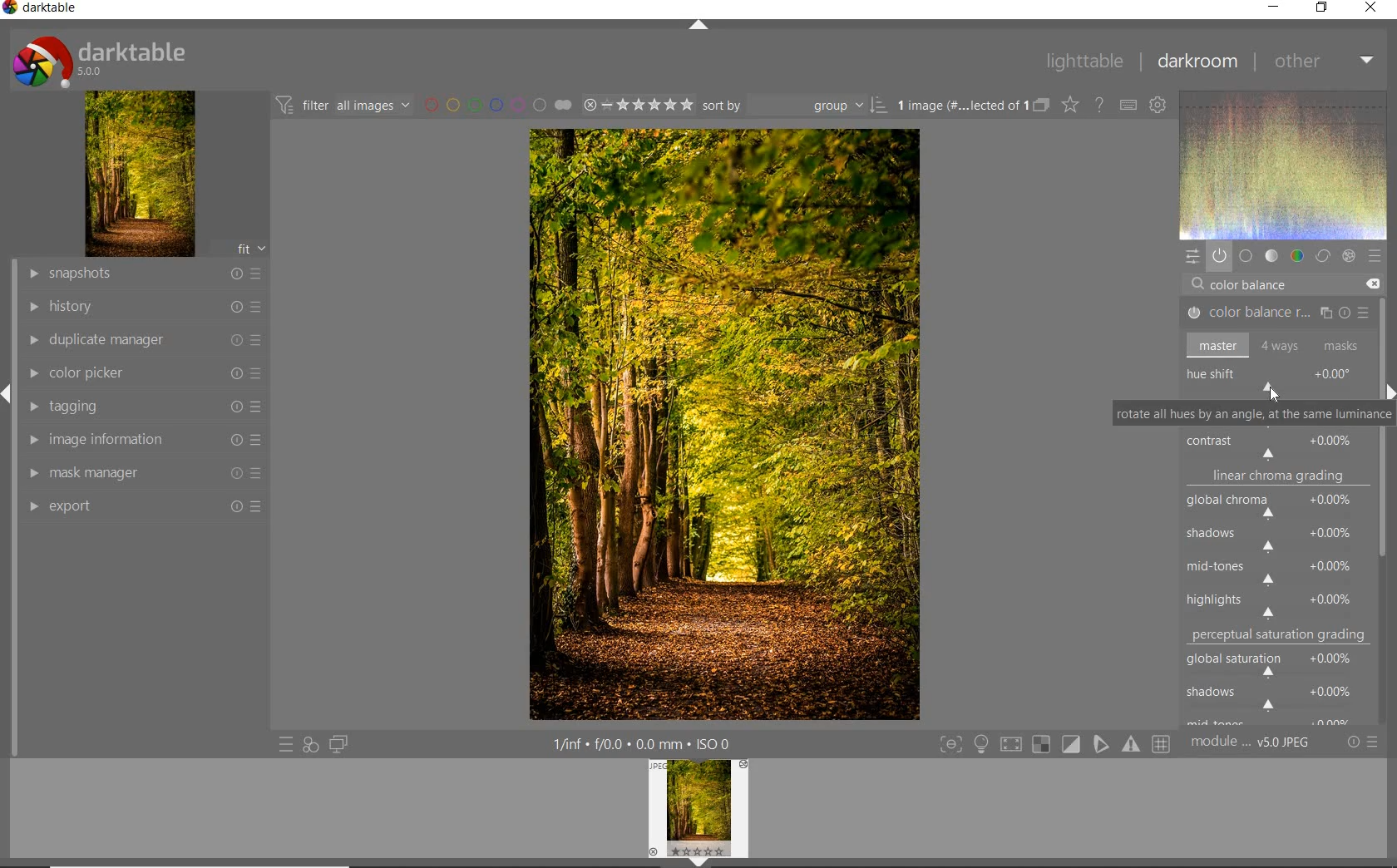 The height and width of the screenshot is (868, 1397). Describe the element at coordinates (1271, 257) in the screenshot. I see `tone` at that location.